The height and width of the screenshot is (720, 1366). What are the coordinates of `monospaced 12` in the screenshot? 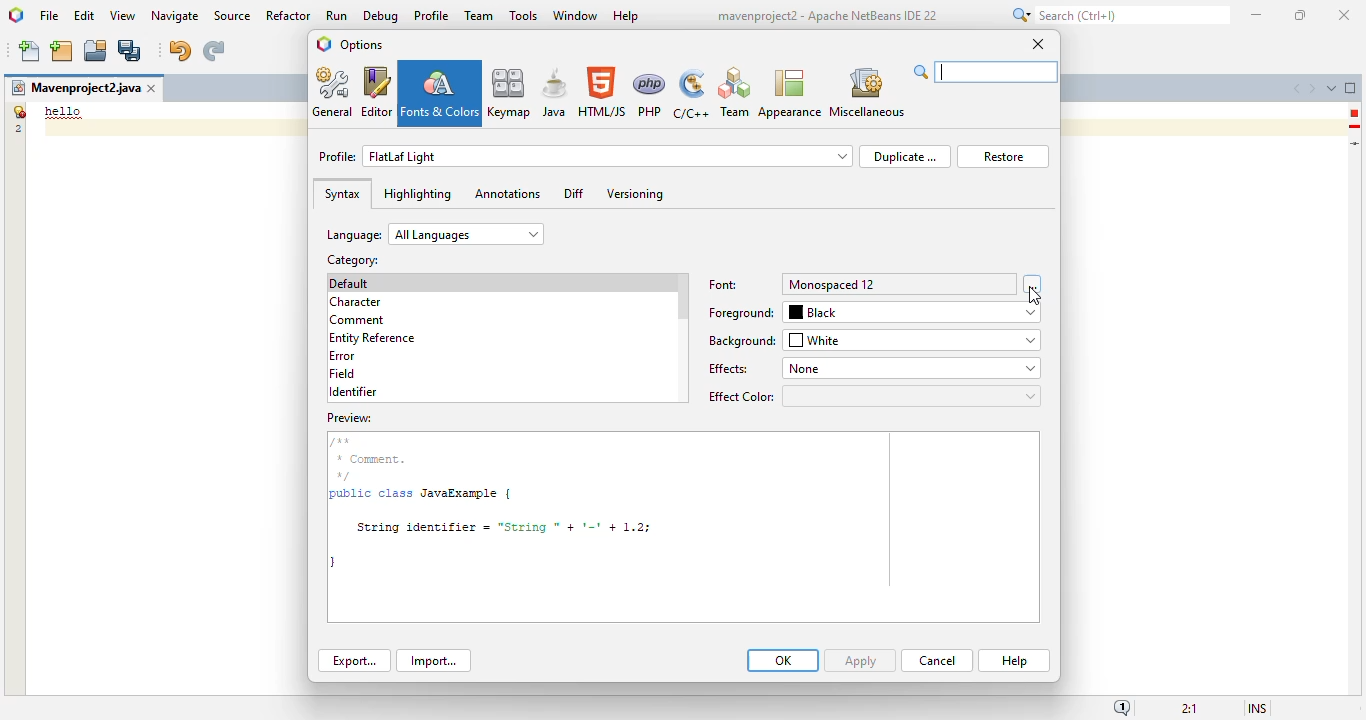 It's located at (830, 285).